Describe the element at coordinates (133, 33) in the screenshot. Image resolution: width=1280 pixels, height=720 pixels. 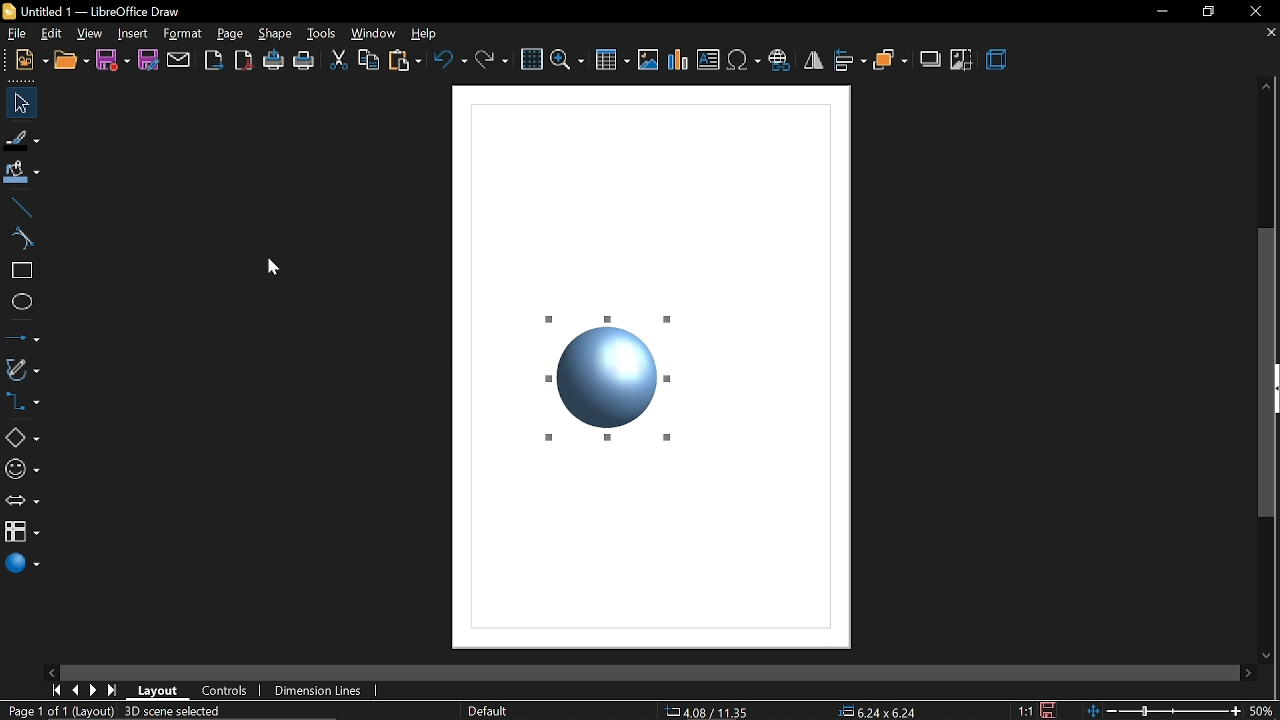
I see `insert` at that location.